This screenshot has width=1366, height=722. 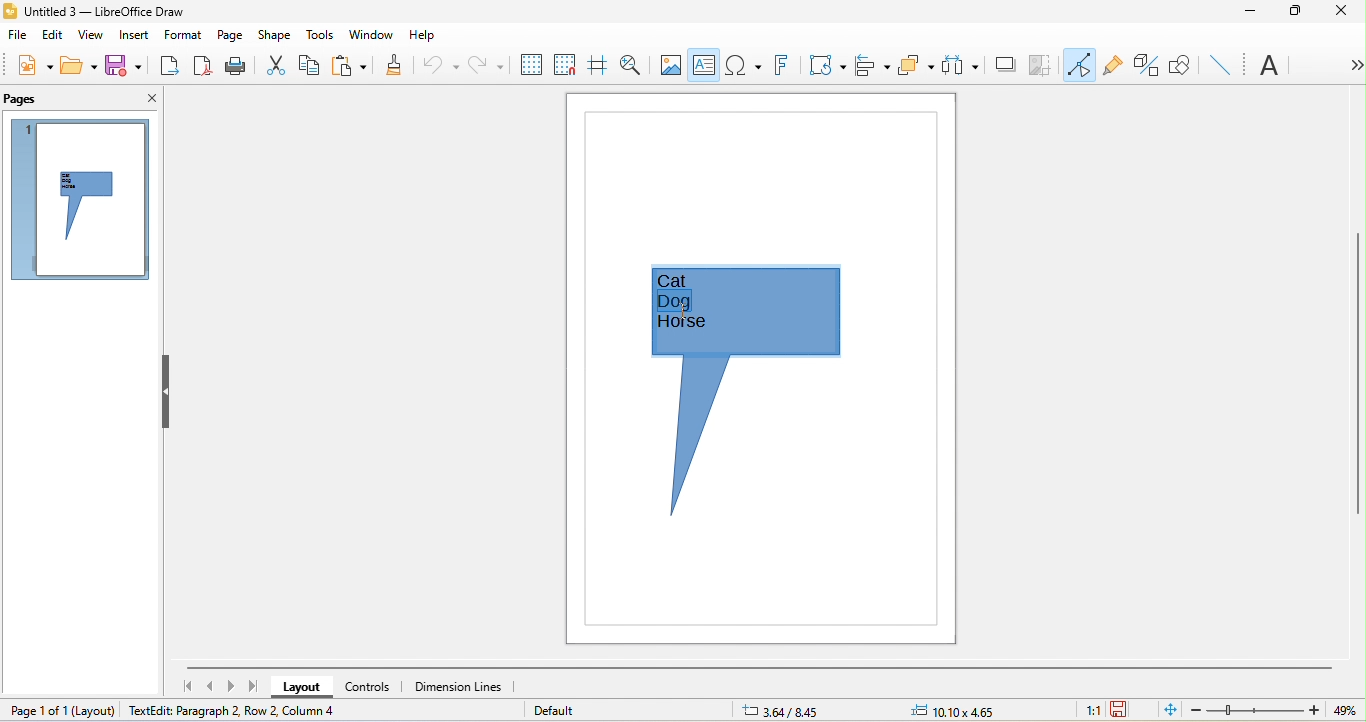 I want to click on export, so click(x=170, y=66).